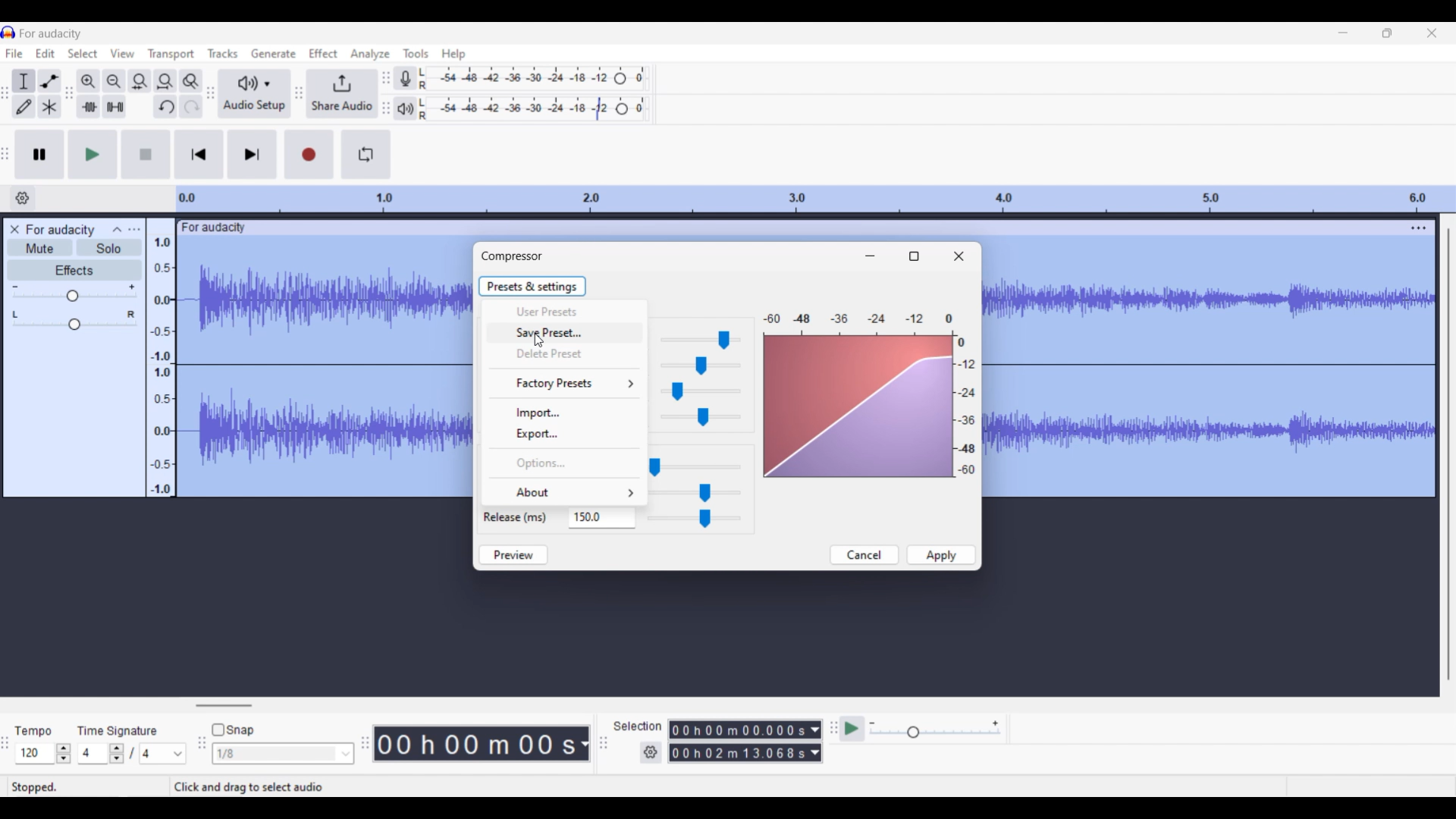  What do you see at coordinates (24, 81) in the screenshot?
I see `Selection tool` at bounding box center [24, 81].